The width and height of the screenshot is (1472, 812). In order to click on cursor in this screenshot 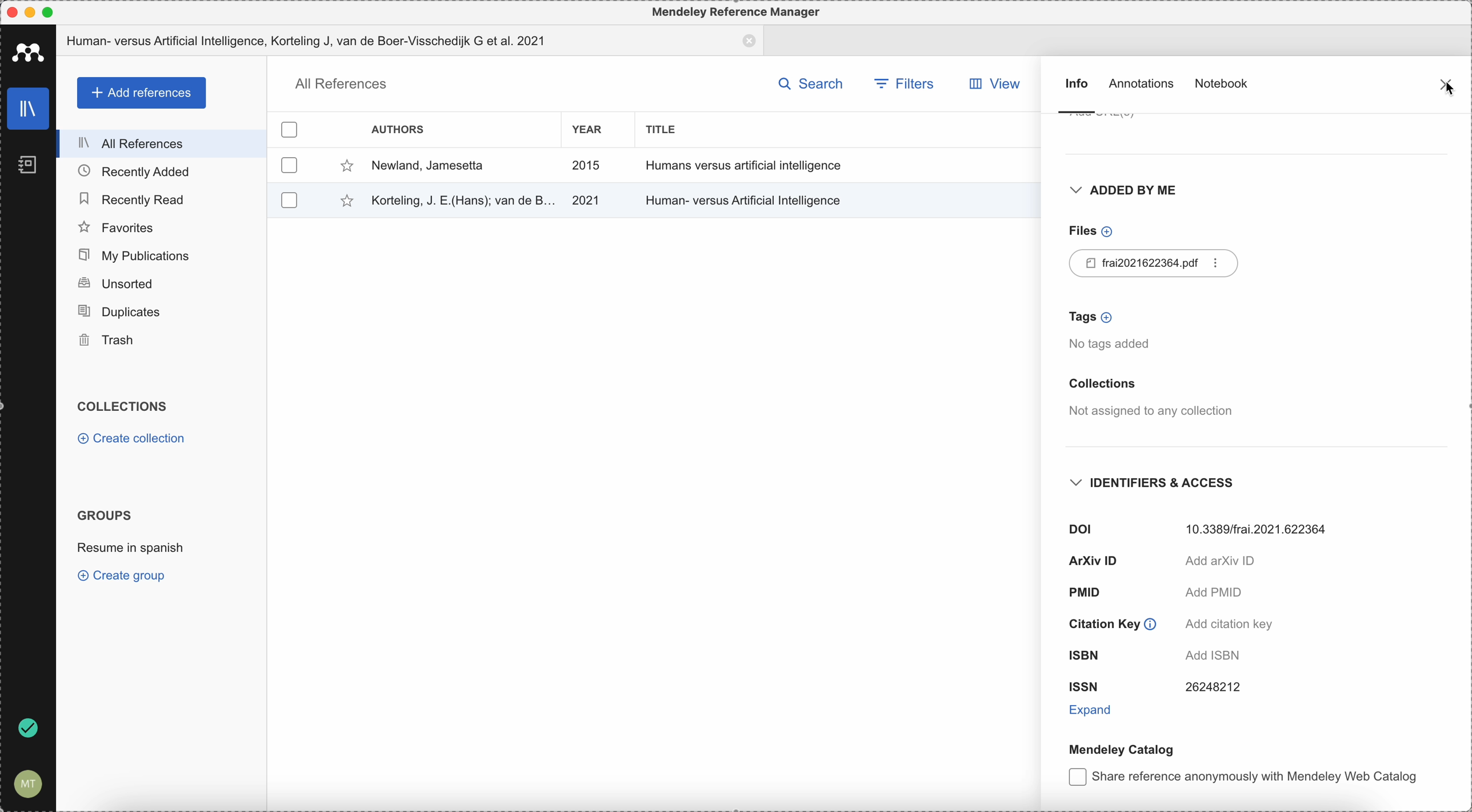, I will do `click(1450, 93)`.